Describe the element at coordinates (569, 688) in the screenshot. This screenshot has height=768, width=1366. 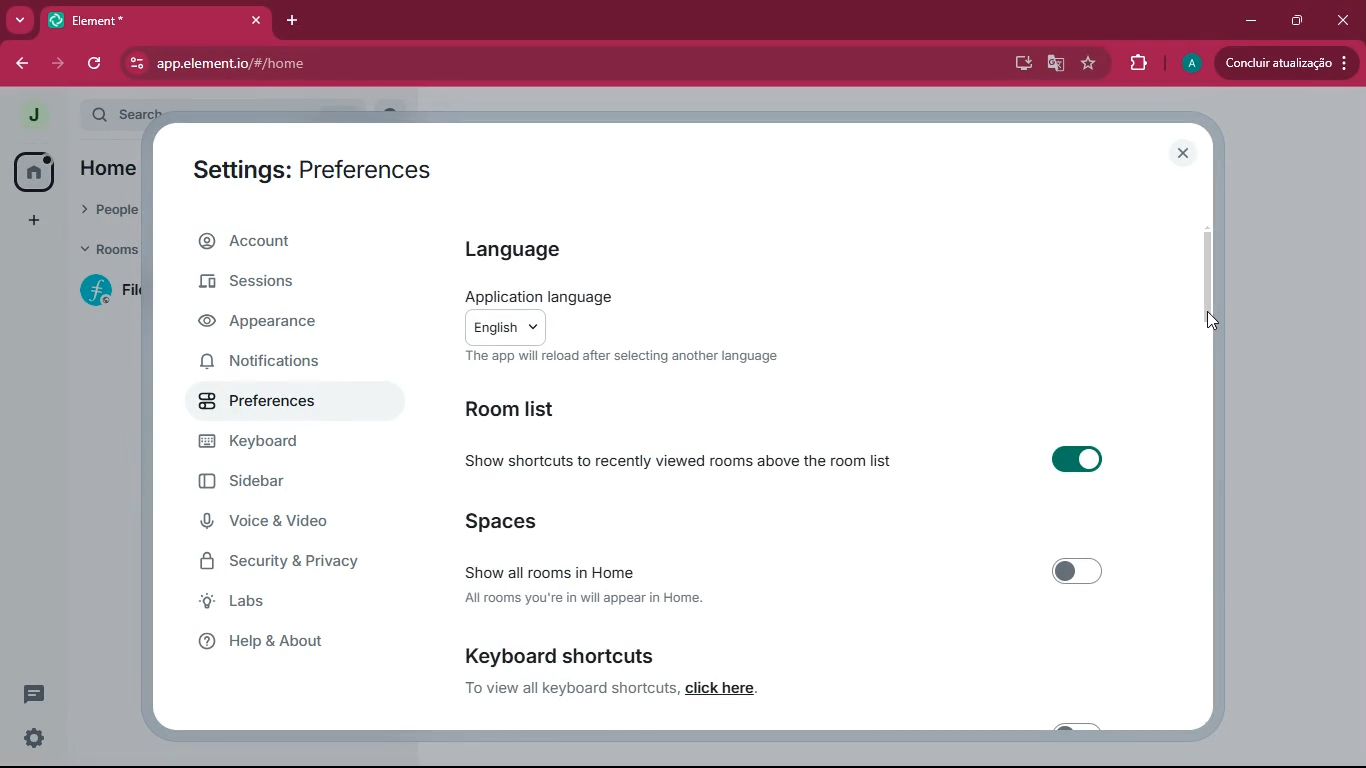
I see `To view all keyboard shortcuts` at that location.